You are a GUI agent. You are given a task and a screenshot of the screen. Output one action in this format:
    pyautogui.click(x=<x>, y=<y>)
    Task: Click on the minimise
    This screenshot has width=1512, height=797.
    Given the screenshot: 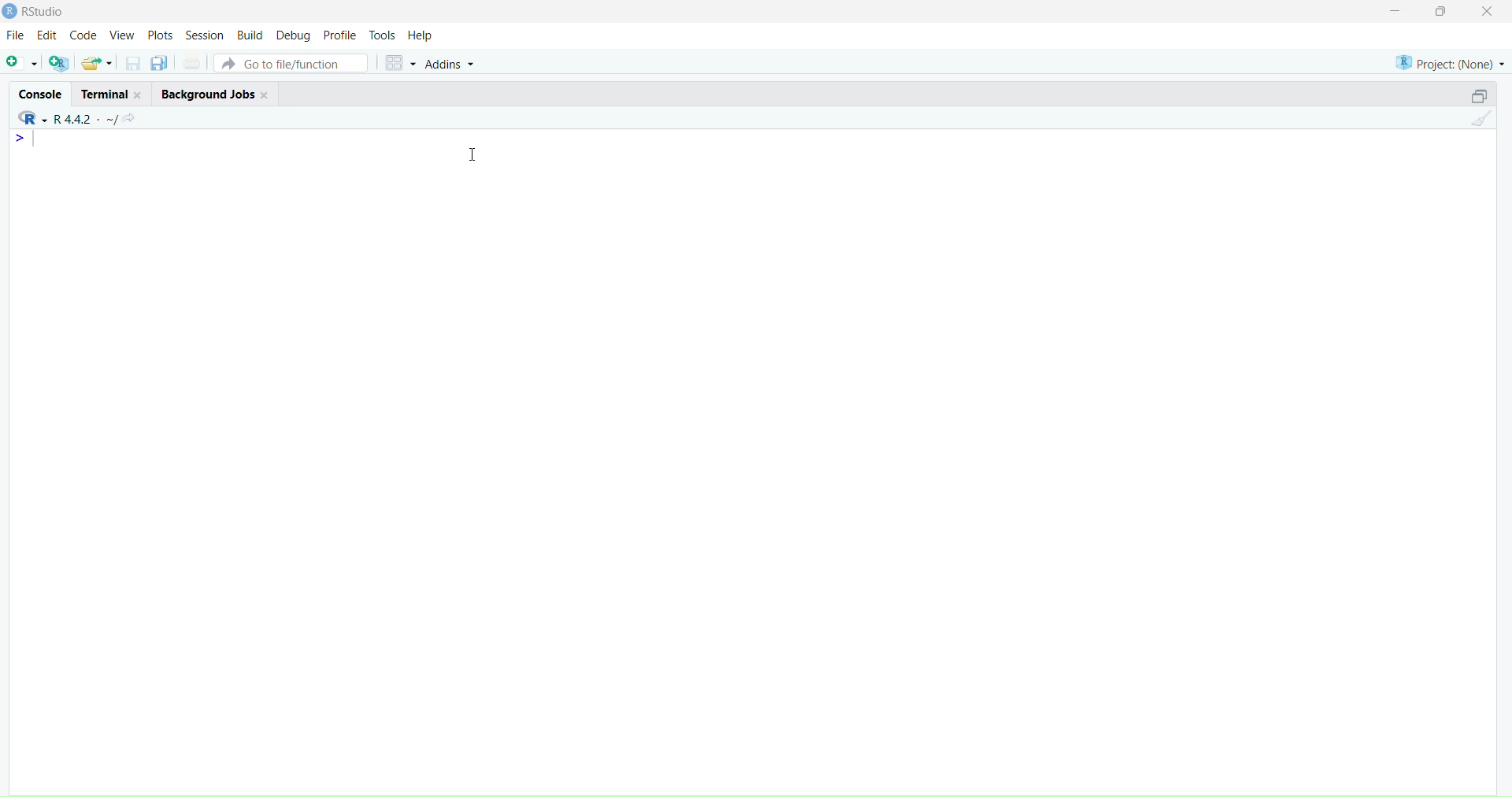 What is the action you would take?
    pyautogui.click(x=1396, y=10)
    